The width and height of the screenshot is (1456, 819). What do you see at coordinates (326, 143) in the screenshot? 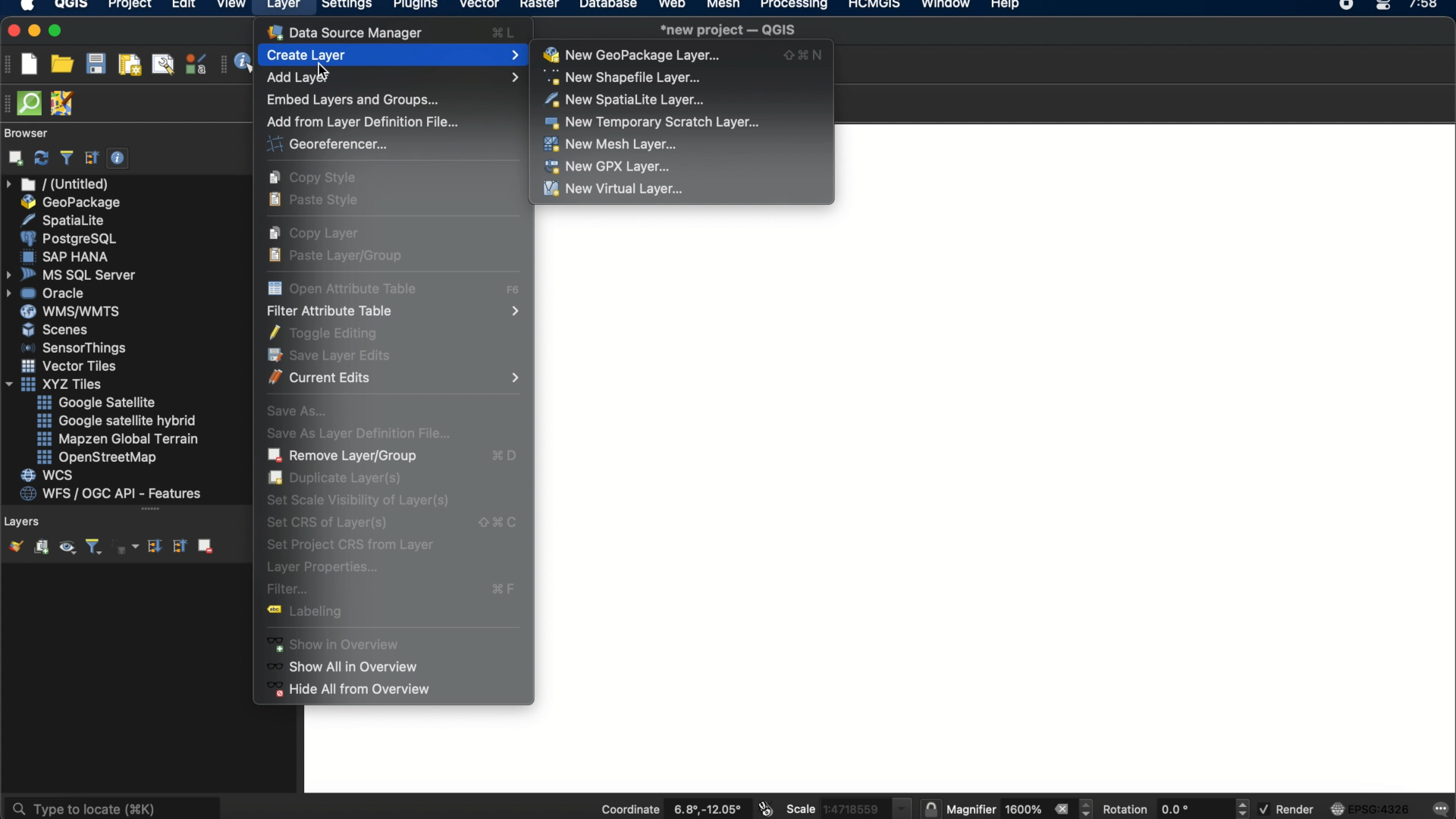
I see `georeferencer` at bounding box center [326, 143].